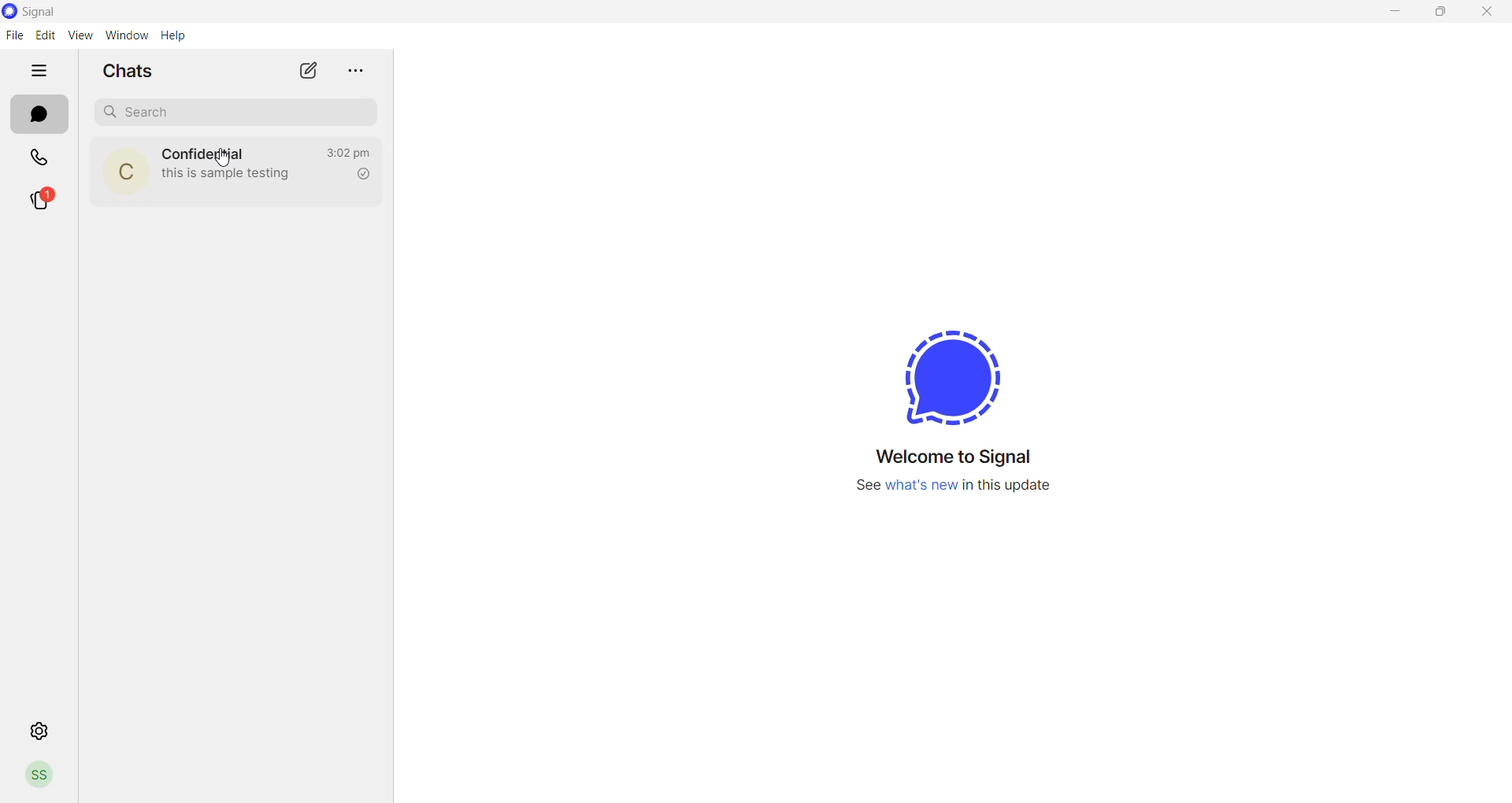  Describe the element at coordinates (956, 492) in the screenshot. I see `new updates information` at that location.